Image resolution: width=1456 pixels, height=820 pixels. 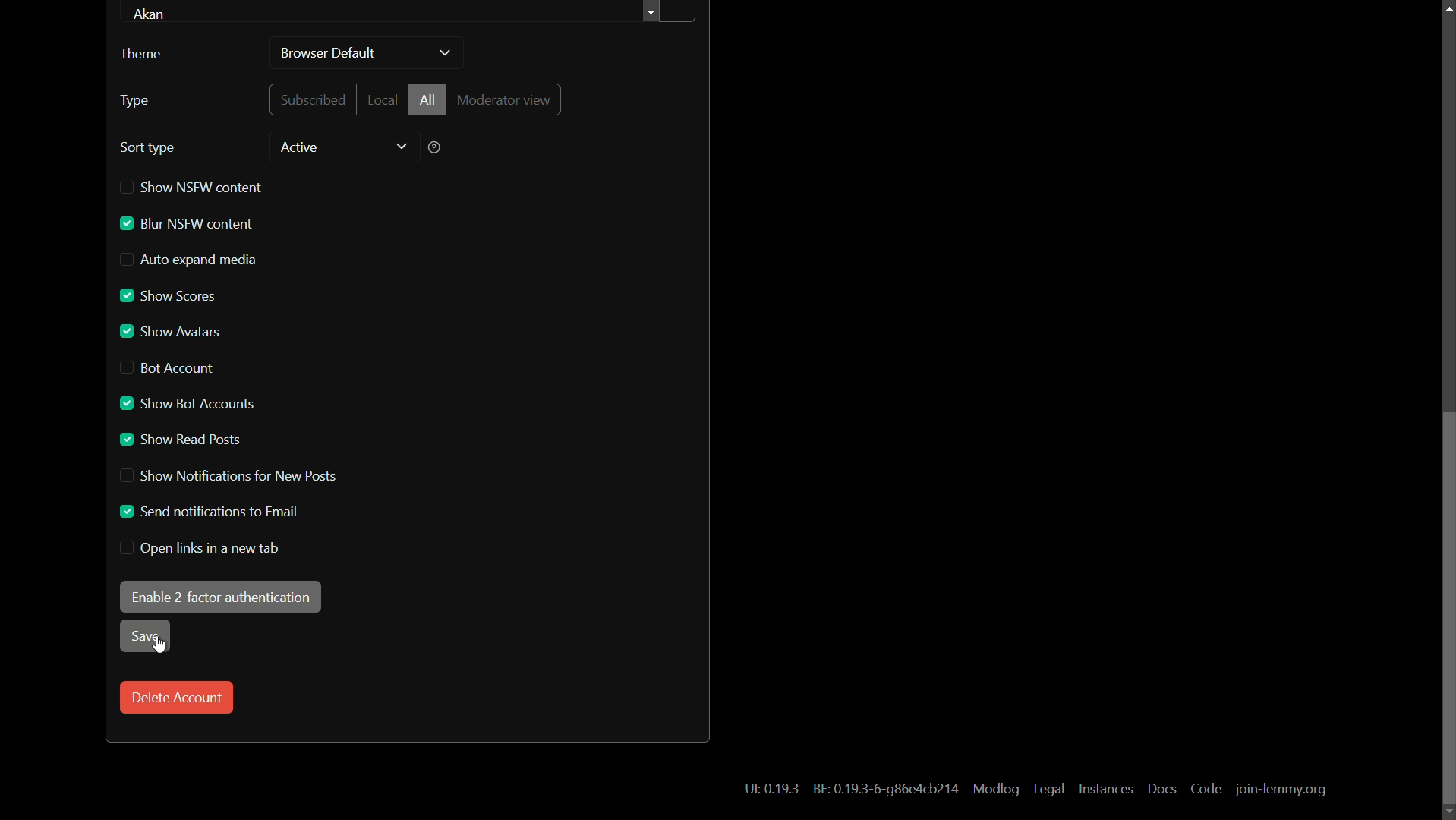 What do you see at coordinates (220, 598) in the screenshot?
I see `enable 2 factor authentication` at bounding box center [220, 598].